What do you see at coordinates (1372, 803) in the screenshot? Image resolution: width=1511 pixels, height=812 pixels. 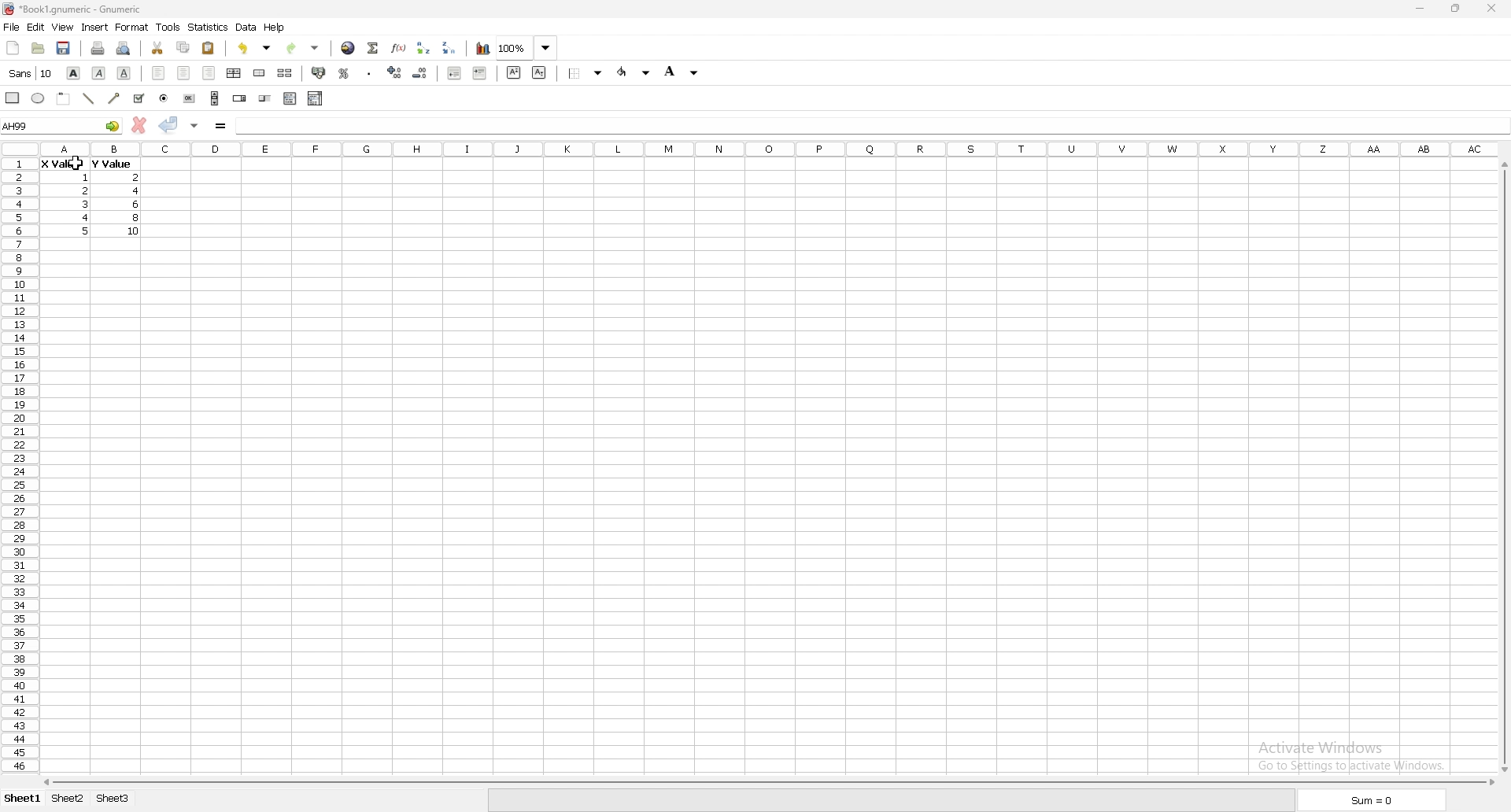 I see `sum` at bounding box center [1372, 803].